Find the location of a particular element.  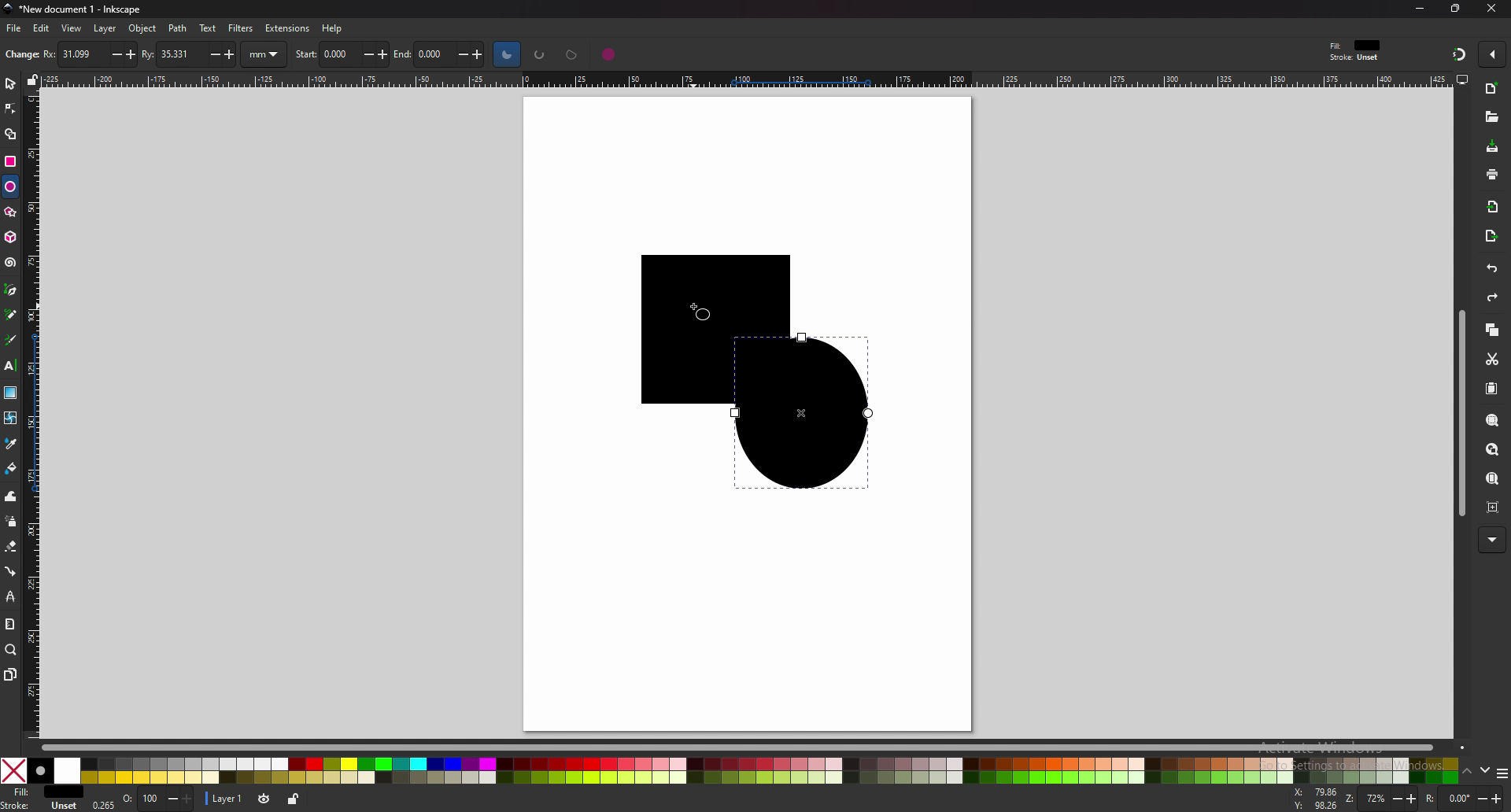

fill is located at coordinates (42, 792).